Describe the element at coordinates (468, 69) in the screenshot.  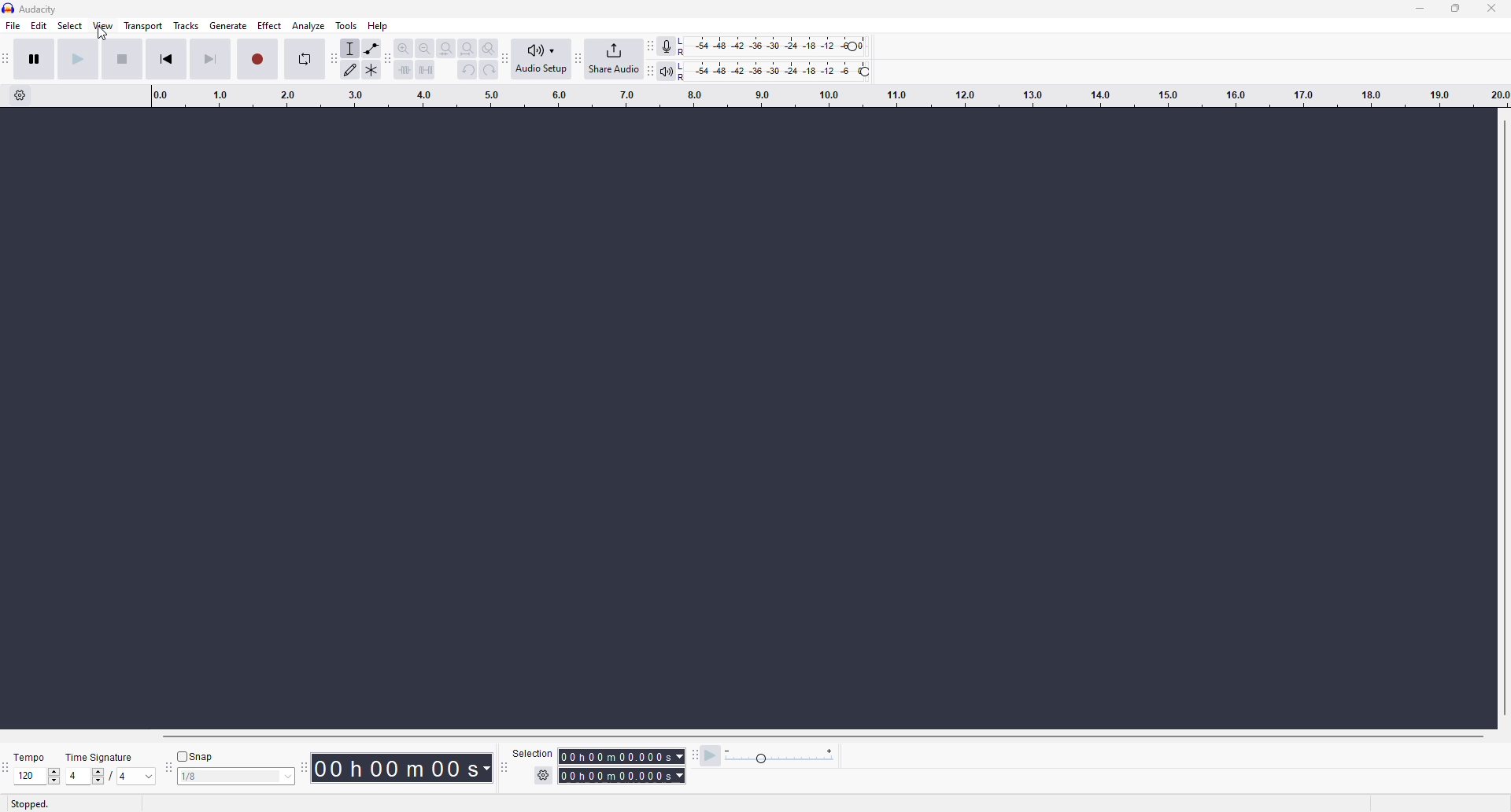
I see `undo` at that location.